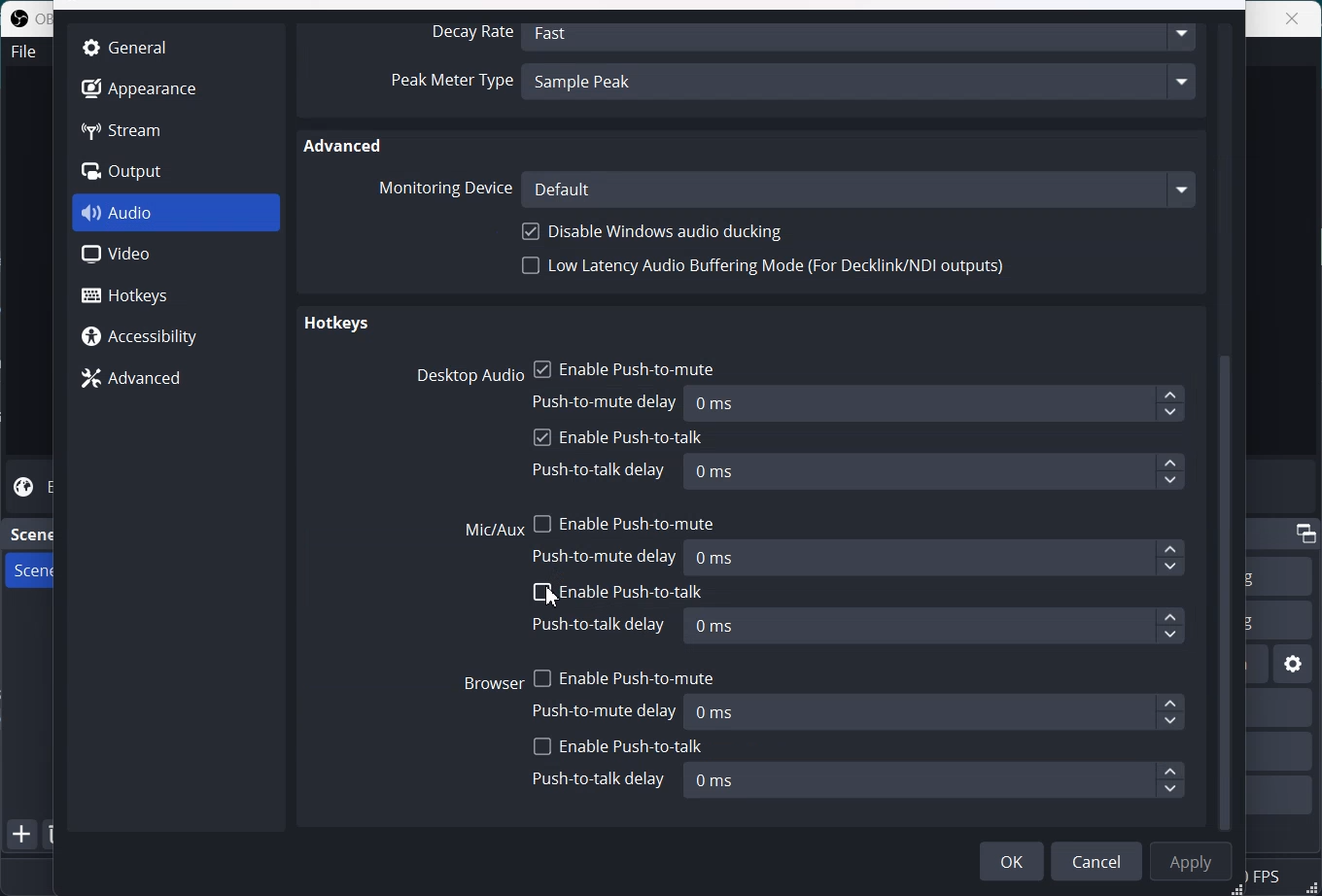 The image size is (1322, 896). Describe the element at coordinates (602, 624) in the screenshot. I see `Push-to-talk delay` at that location.